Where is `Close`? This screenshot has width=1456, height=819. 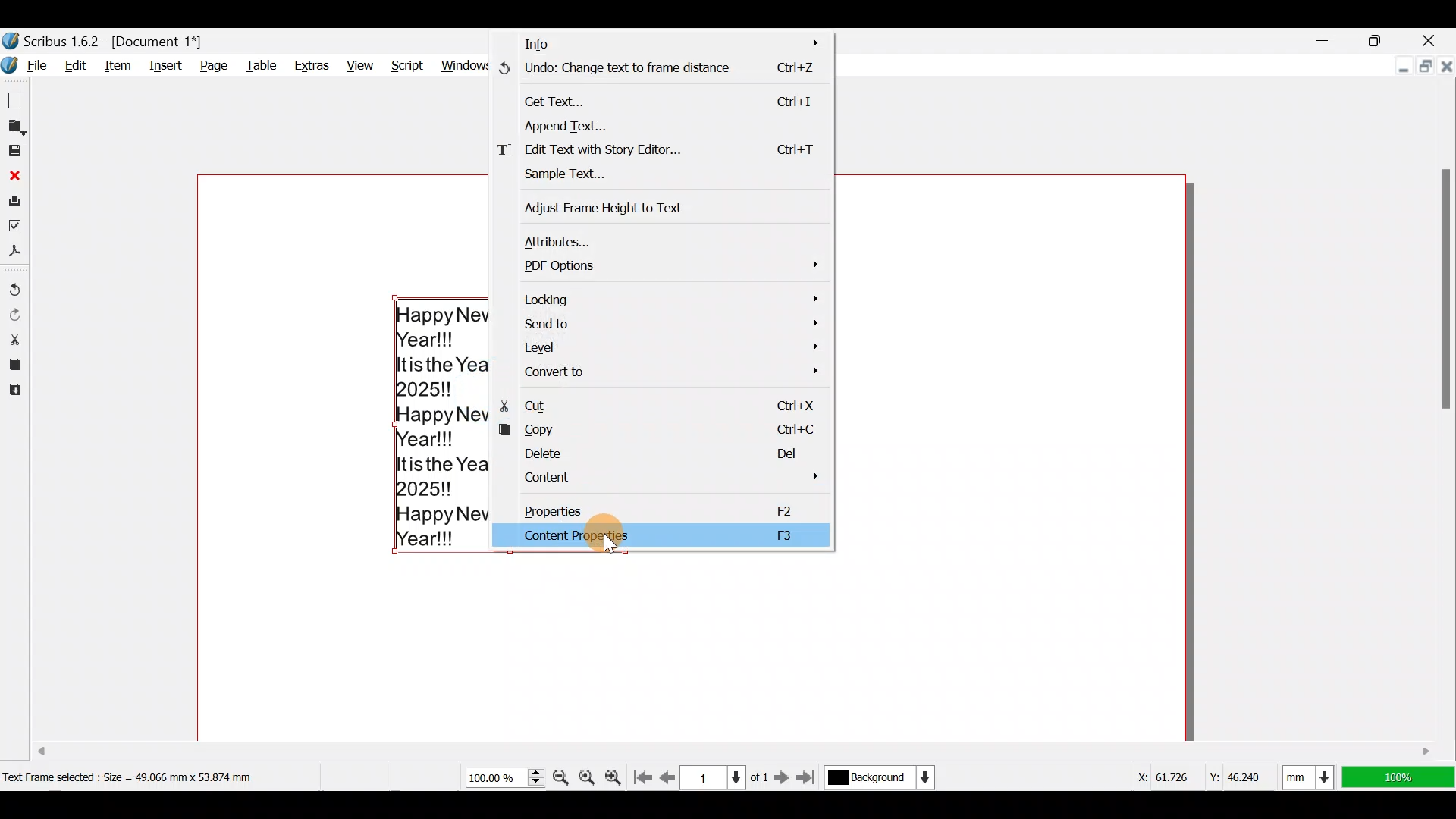
Close is located at coordinates (1436, 36).